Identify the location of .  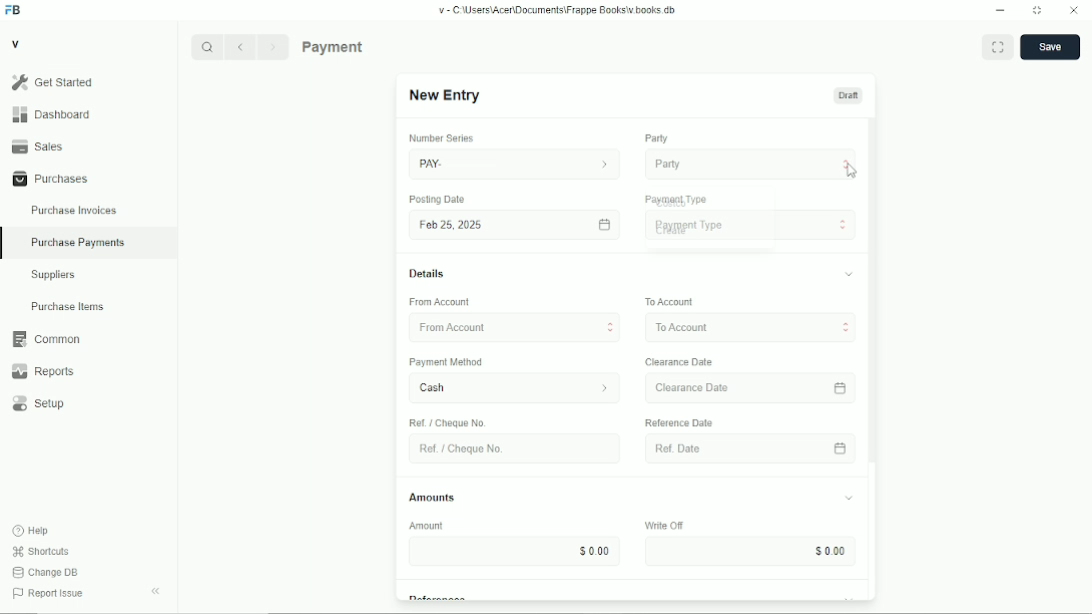
(748, 552).